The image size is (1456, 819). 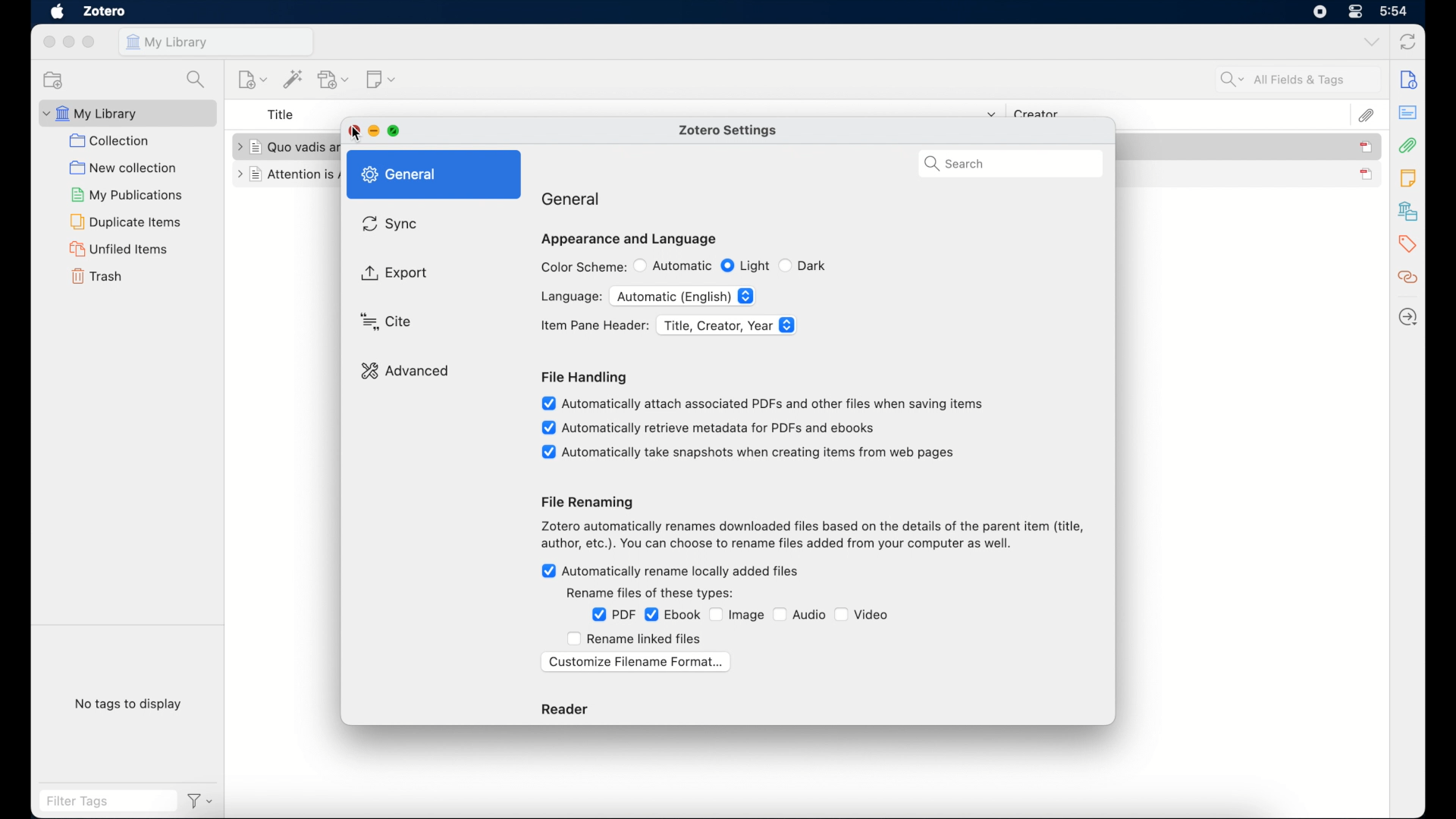 What do you see at coordinates (805, 265) in the screenshot?
I see `dark radio button` at bounding box center [805, 265].